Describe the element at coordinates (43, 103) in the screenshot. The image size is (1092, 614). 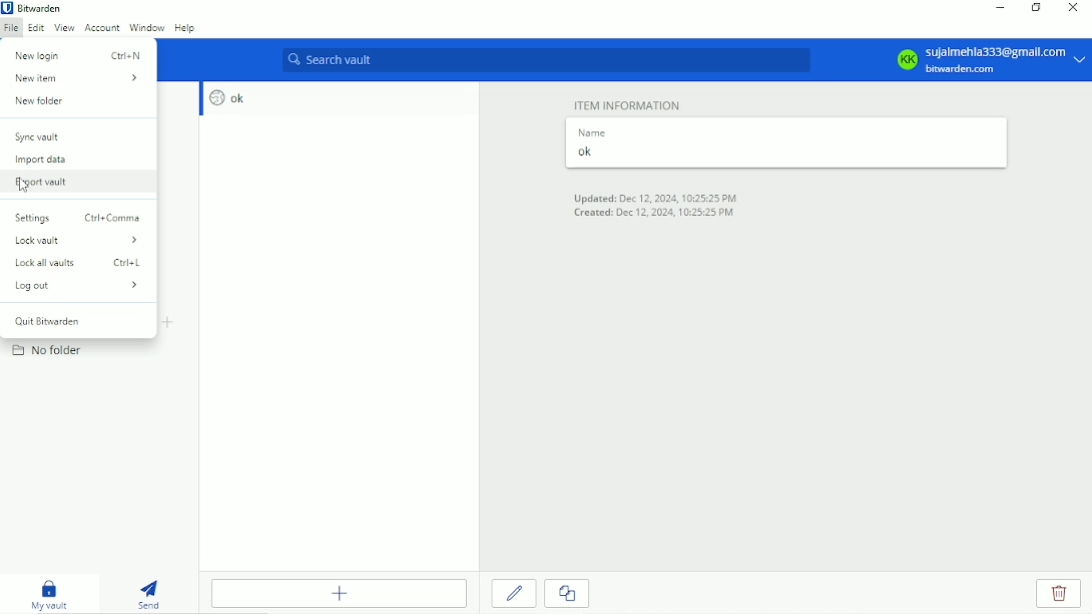
I see `New folder` at that location.